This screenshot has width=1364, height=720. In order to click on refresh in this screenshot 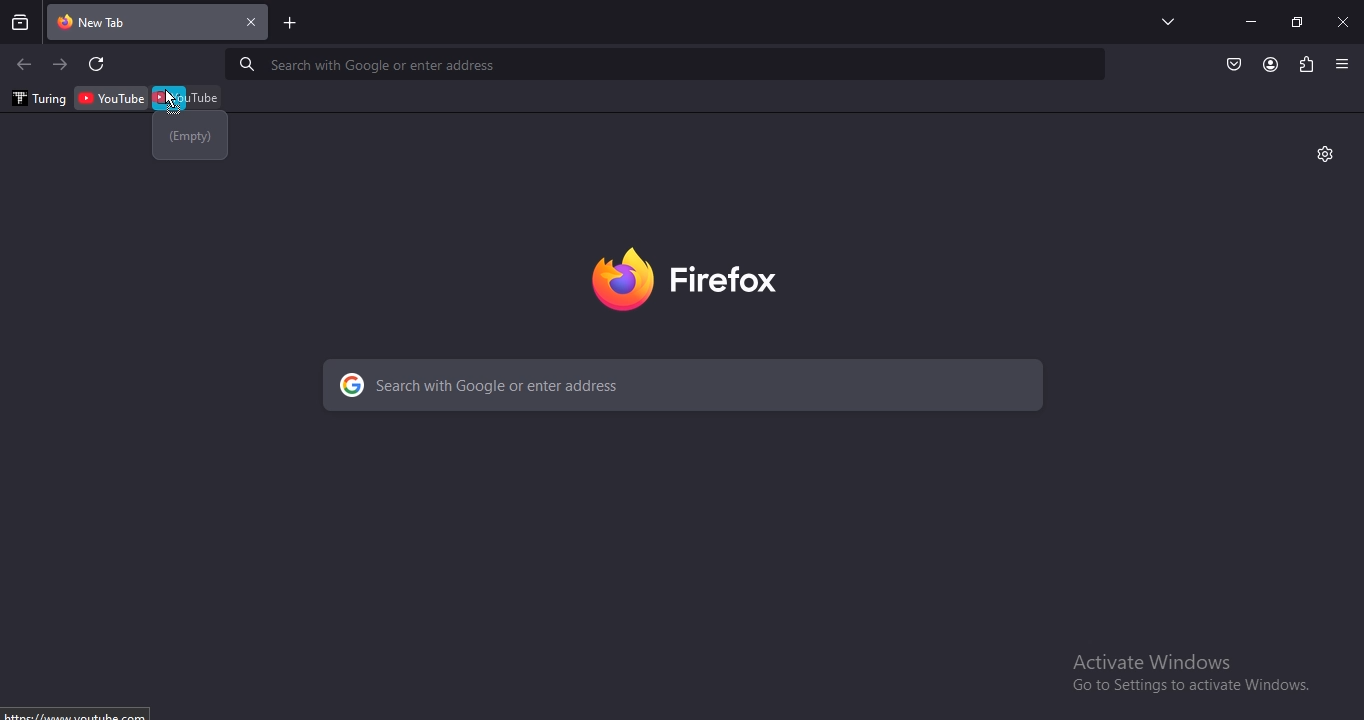, I will do `click(98, 65)`.